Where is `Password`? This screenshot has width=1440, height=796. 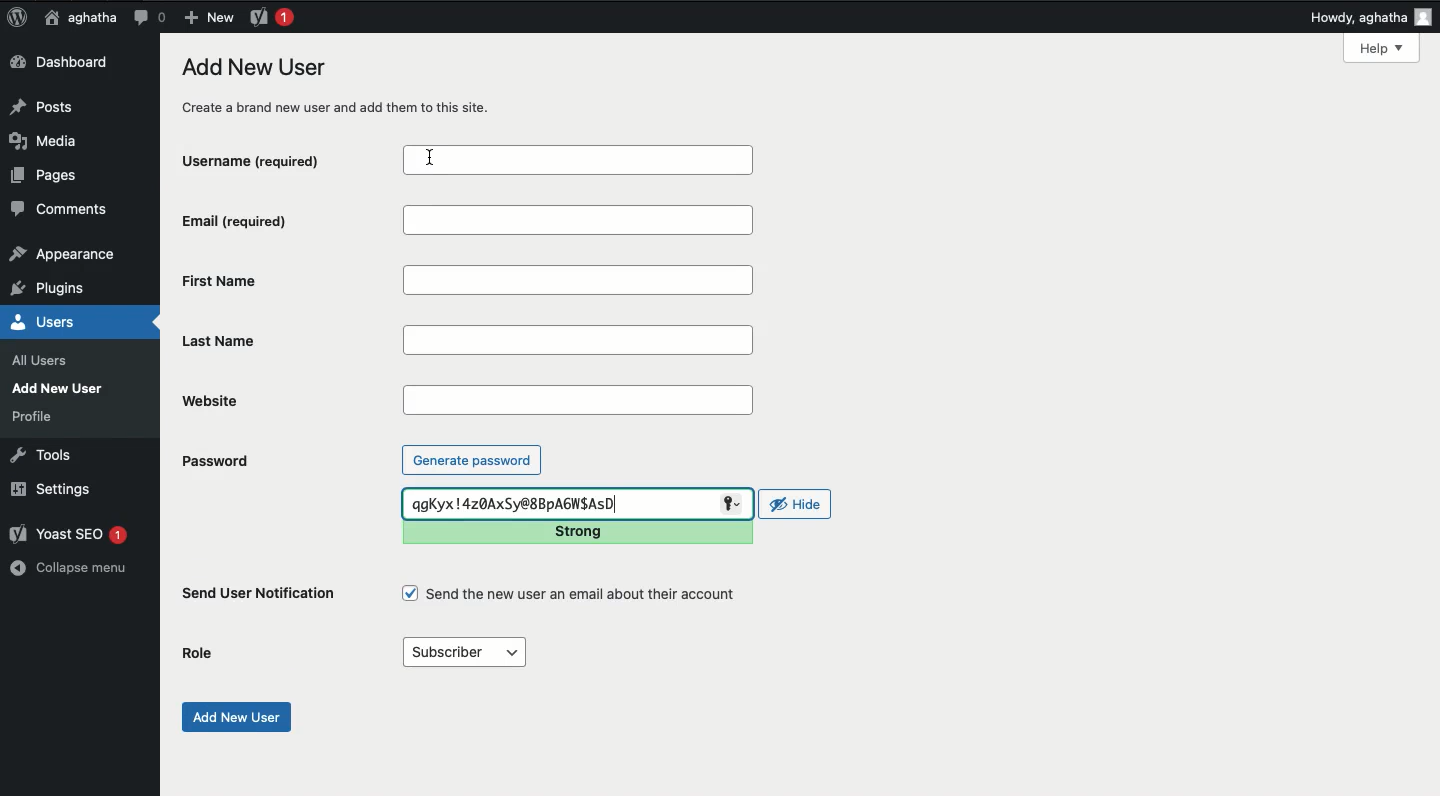
Password is located at coordinates (214, 461).